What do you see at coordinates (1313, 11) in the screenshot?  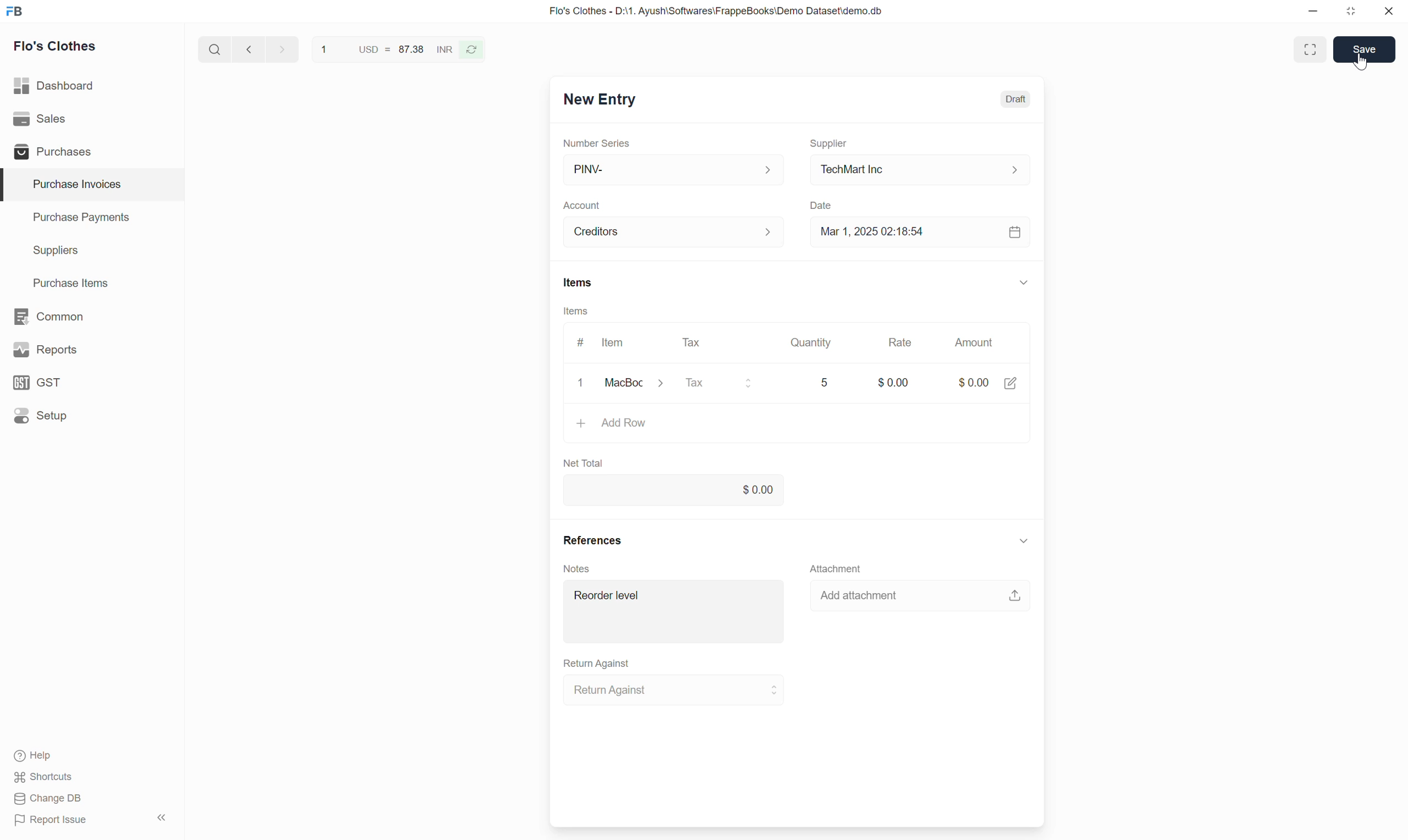 I see `Minimize` at bounding box center [1313, 11].